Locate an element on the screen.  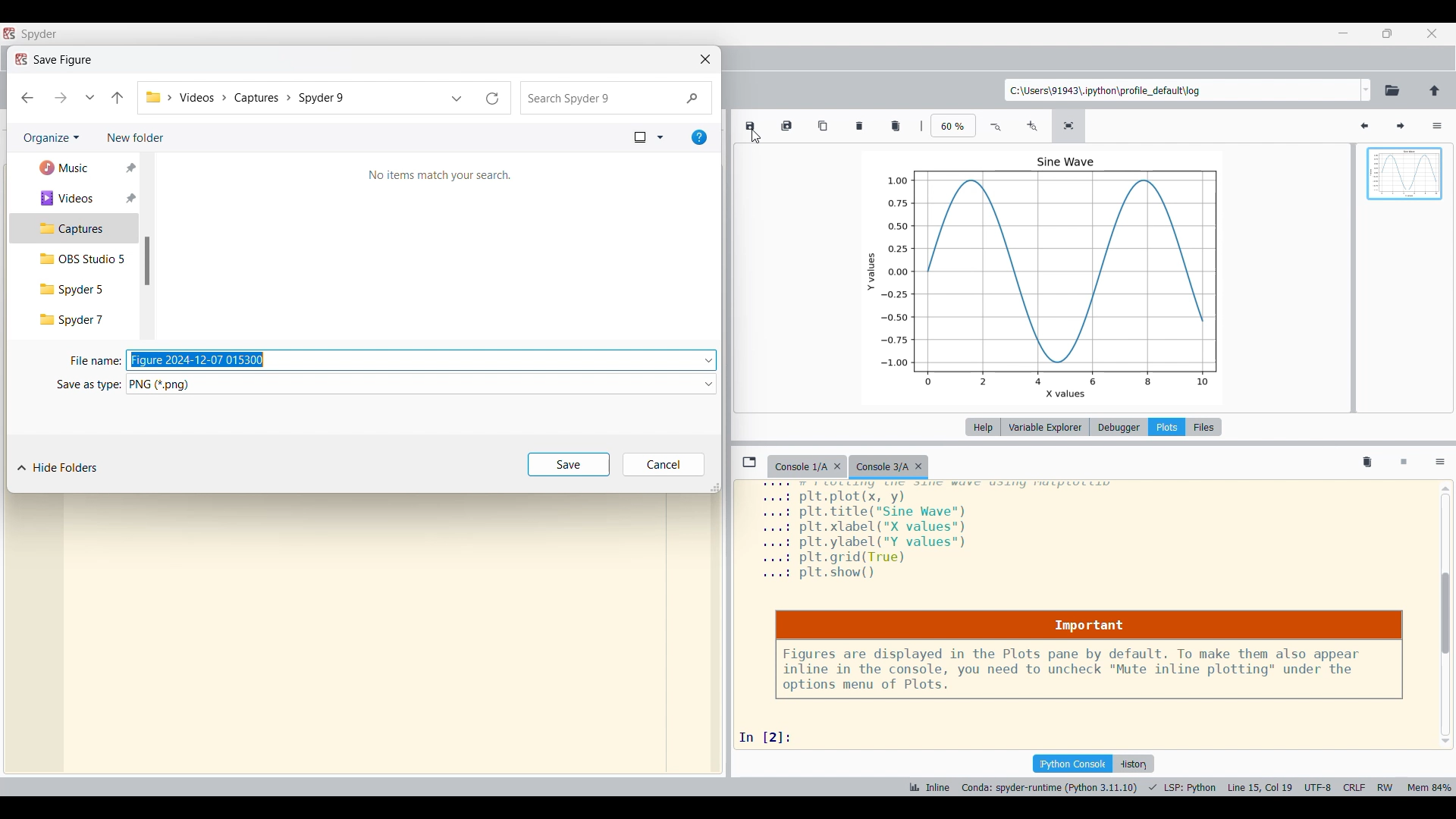
Options is located at coordinates (1441, 463).